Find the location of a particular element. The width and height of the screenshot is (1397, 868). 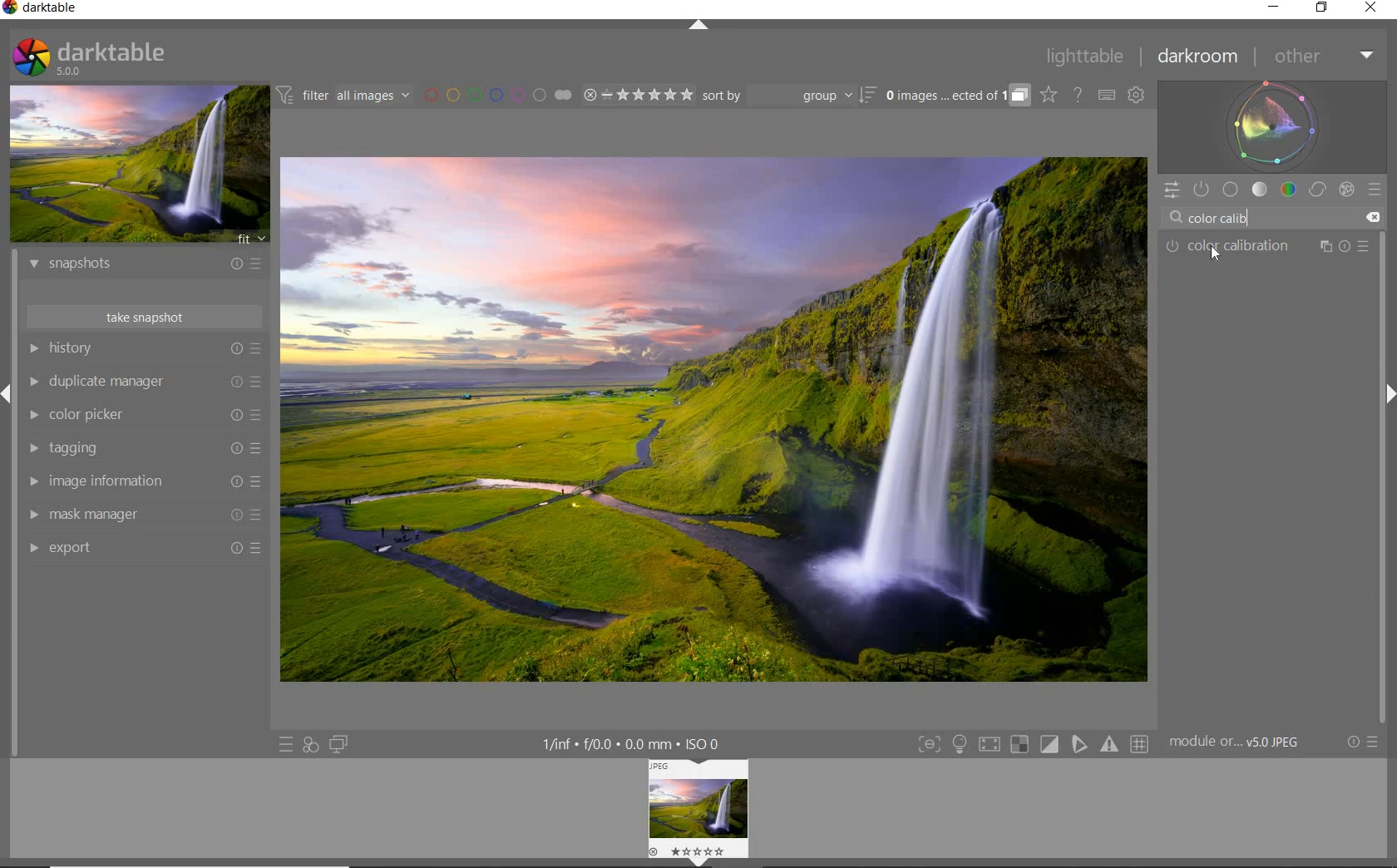

history is located at coordinates (144, 348).